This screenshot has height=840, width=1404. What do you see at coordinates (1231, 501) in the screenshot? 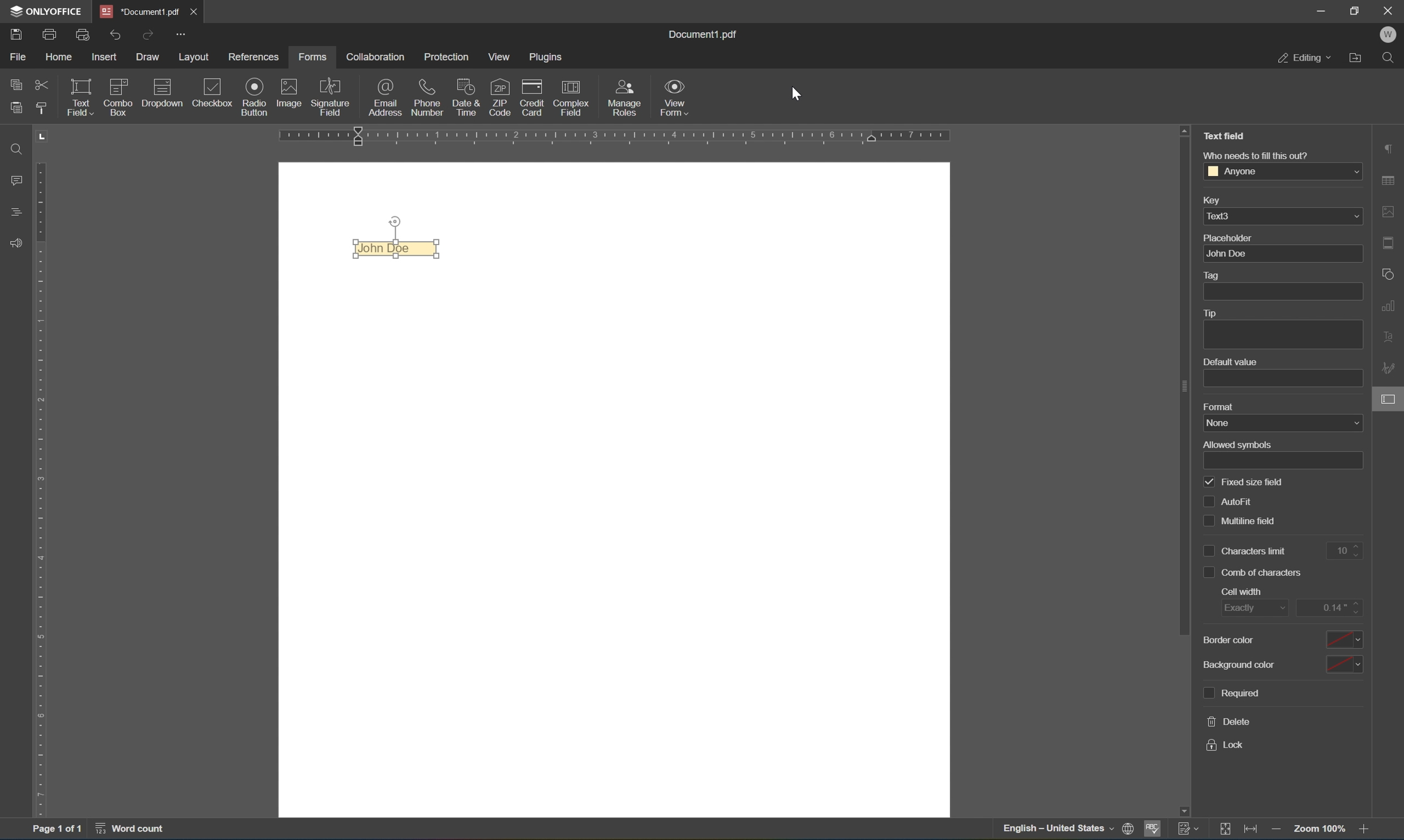
I see `auto fill` at bounding box center [1231, 501].